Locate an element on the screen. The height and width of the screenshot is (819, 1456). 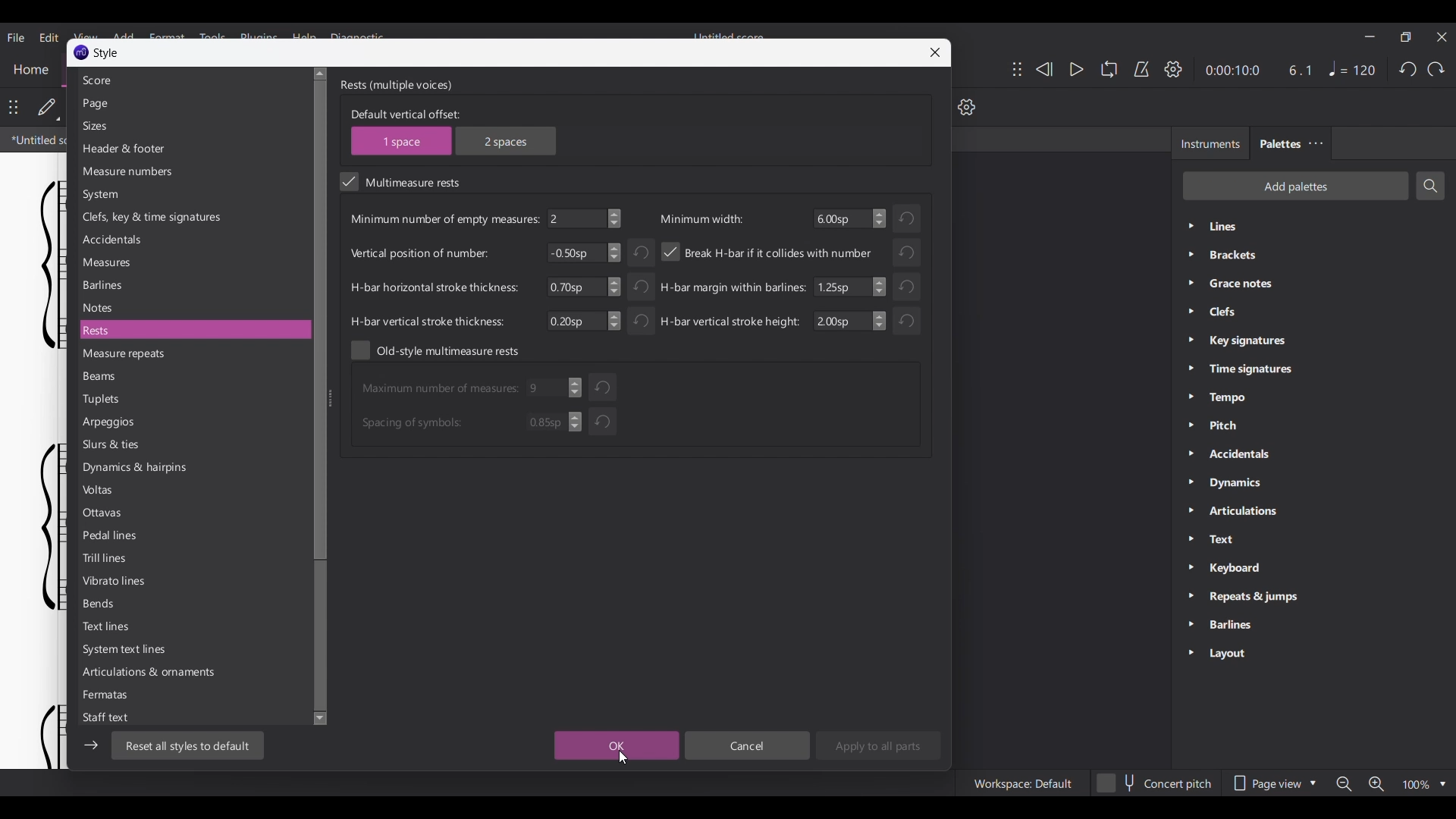
Settings under Multimeasure rests highlighted for changes is located at coordinates (635, 265).